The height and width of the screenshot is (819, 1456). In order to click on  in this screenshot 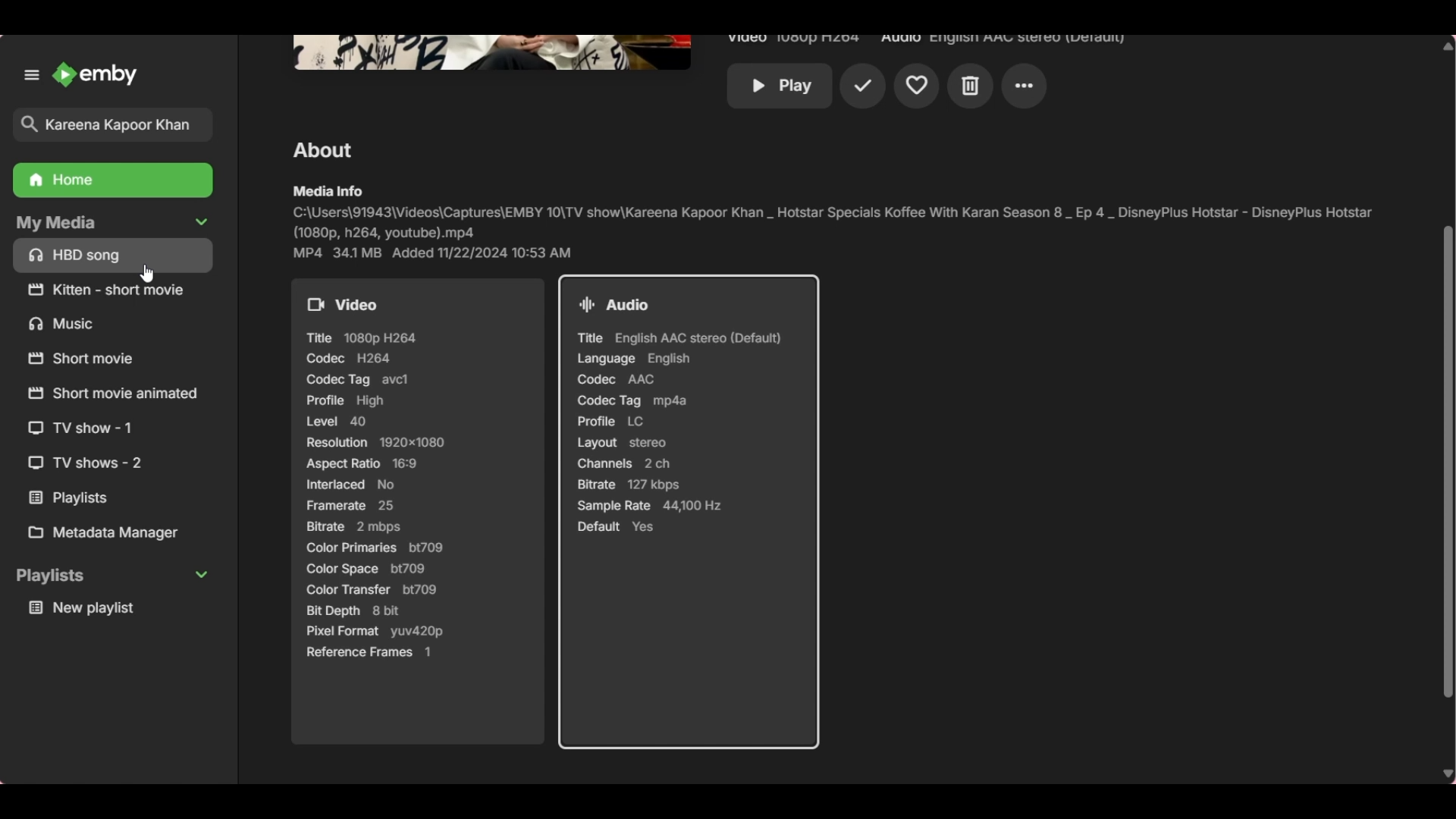, I will do `click(1031, 86)`.